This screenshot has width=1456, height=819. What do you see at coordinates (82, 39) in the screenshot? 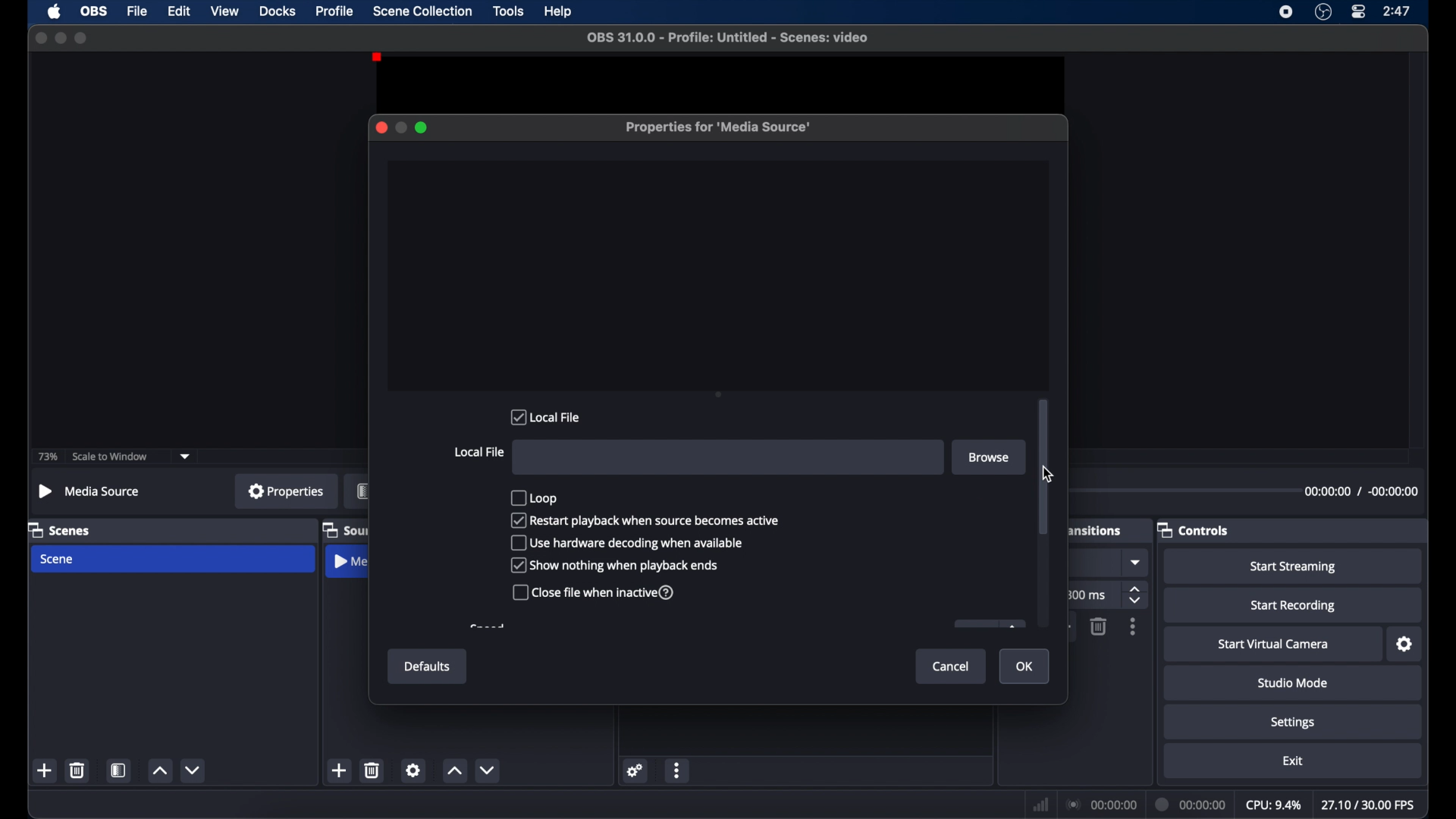
I see `maximize` at bounding box center [82, 39].